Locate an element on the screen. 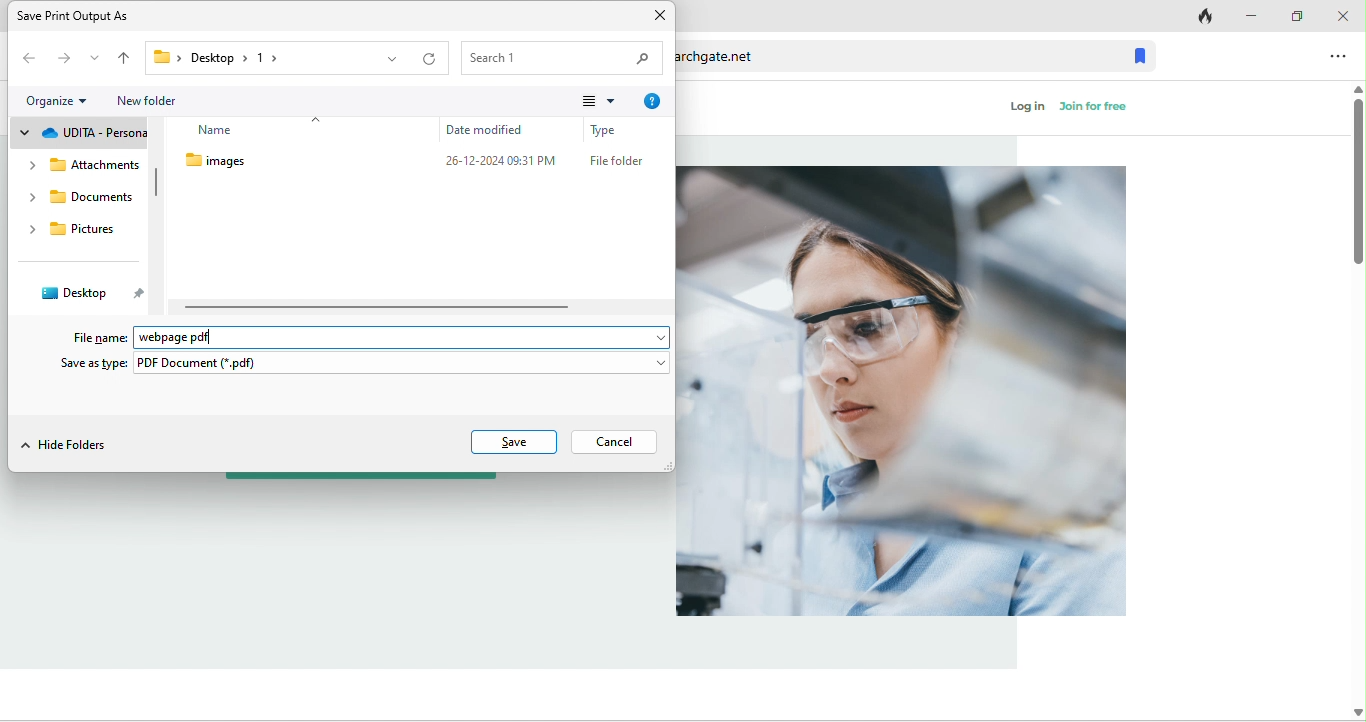 The image size is (1366, 722). save as type is located at coordinates (362, 364).